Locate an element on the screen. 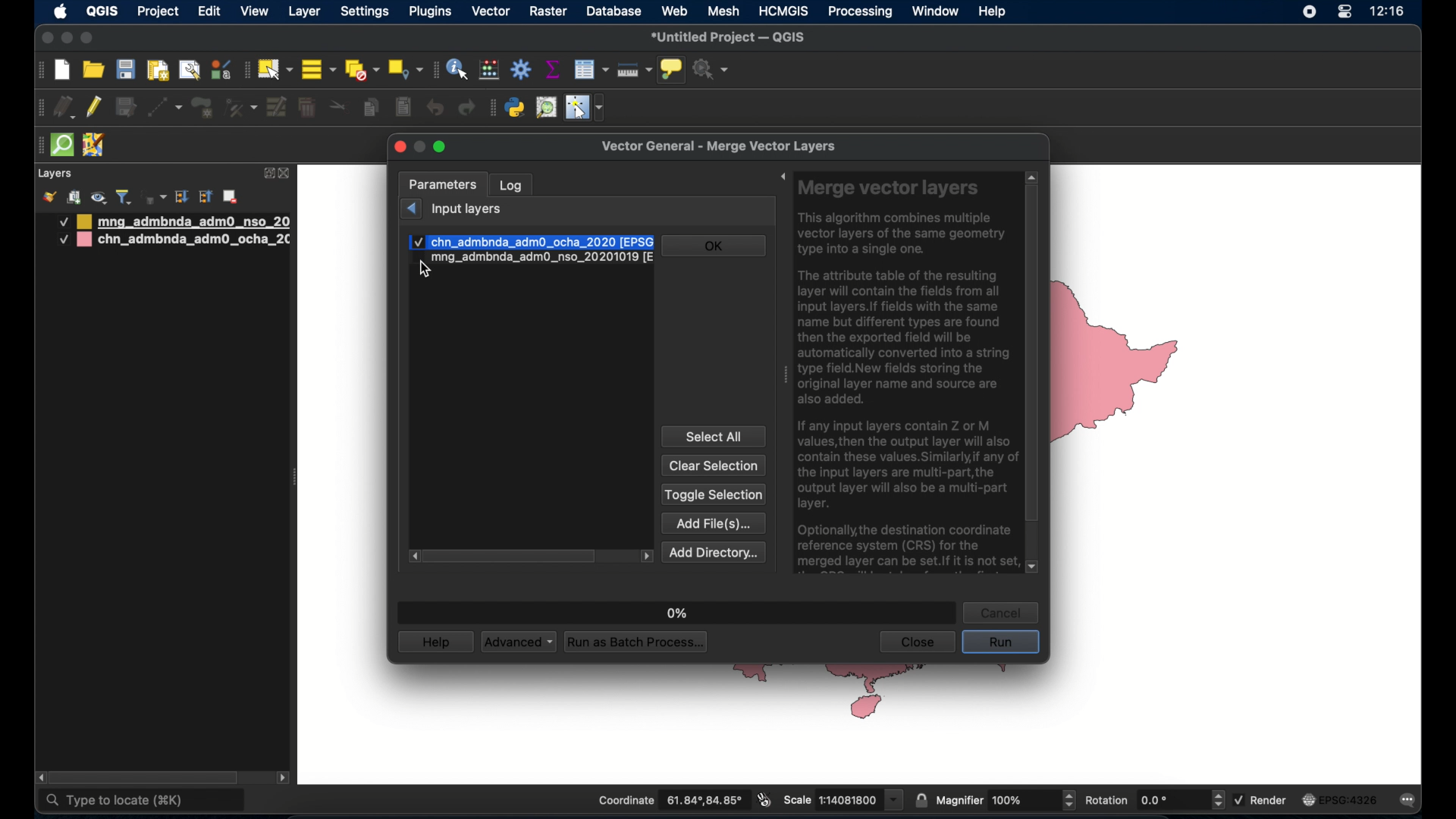  style manager is located at coordinates (220, 69).